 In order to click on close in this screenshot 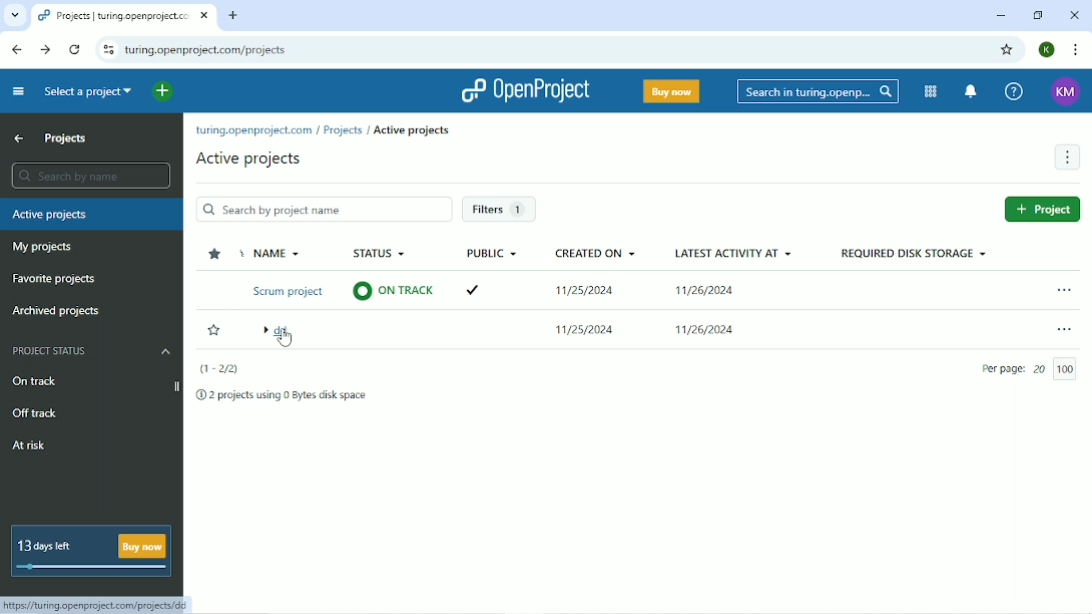, I will do `click(205, 17)`.